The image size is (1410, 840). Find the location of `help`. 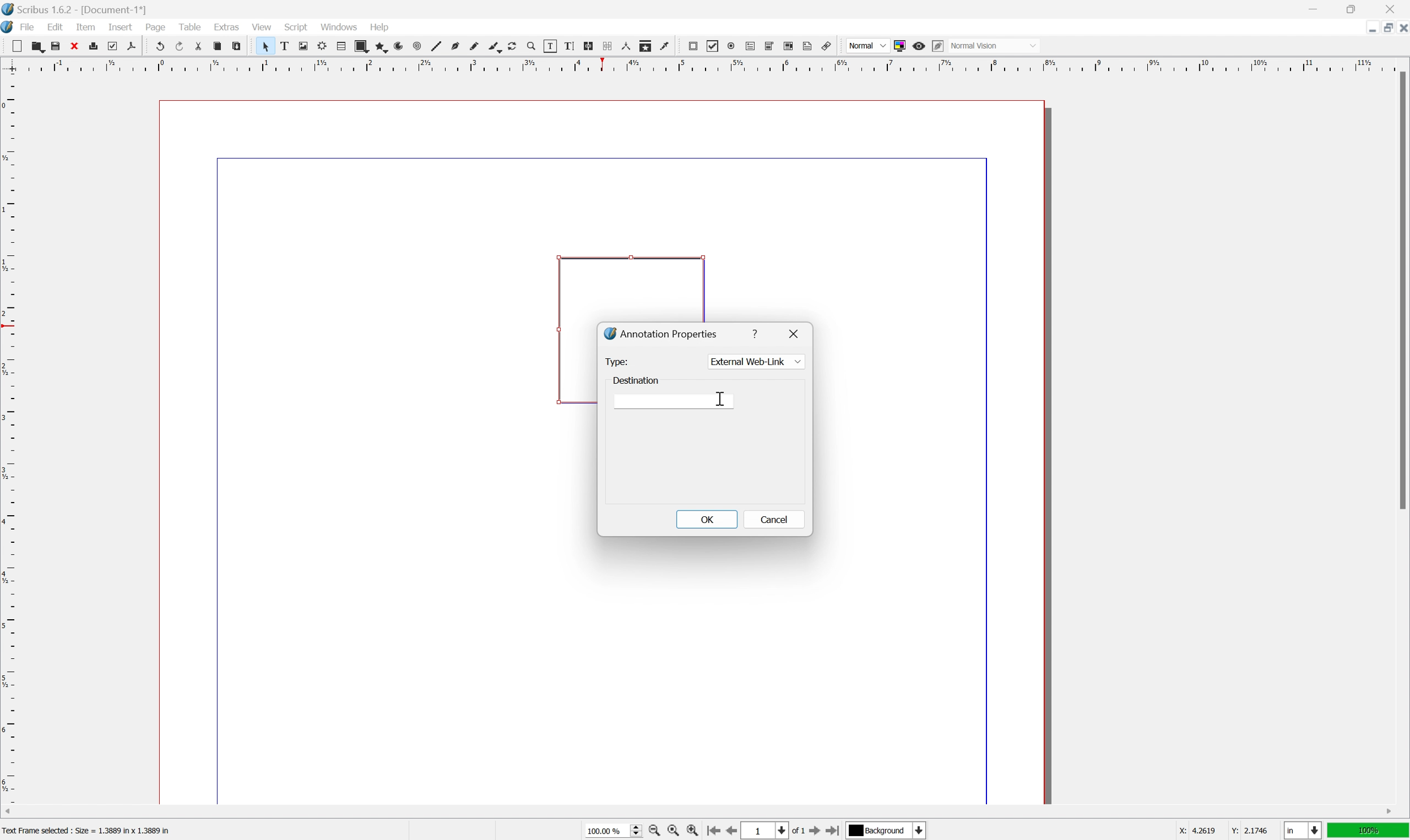

help is located at coordinates (757, 333).